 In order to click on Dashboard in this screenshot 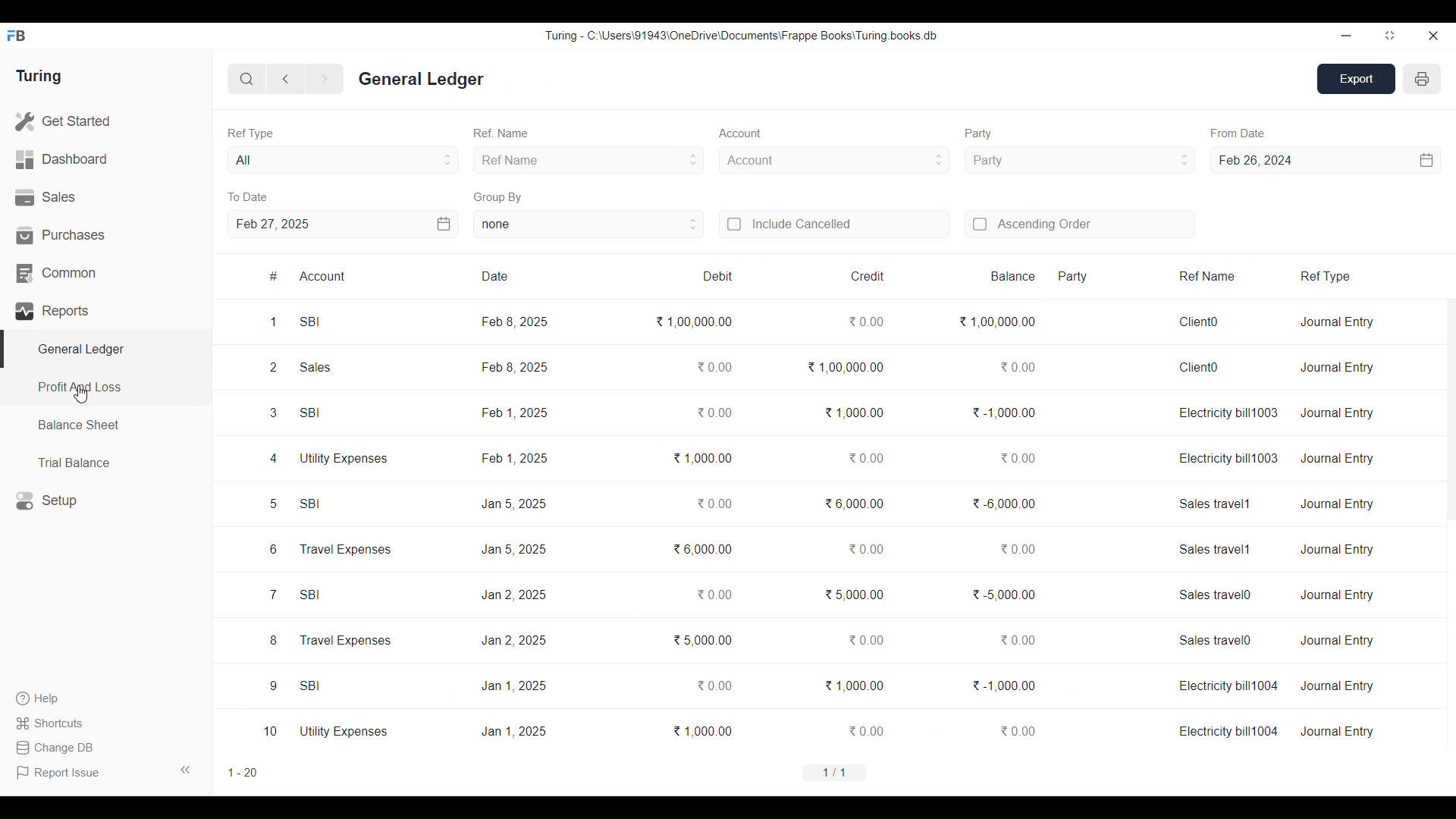, I will do `click(105, 160)`.